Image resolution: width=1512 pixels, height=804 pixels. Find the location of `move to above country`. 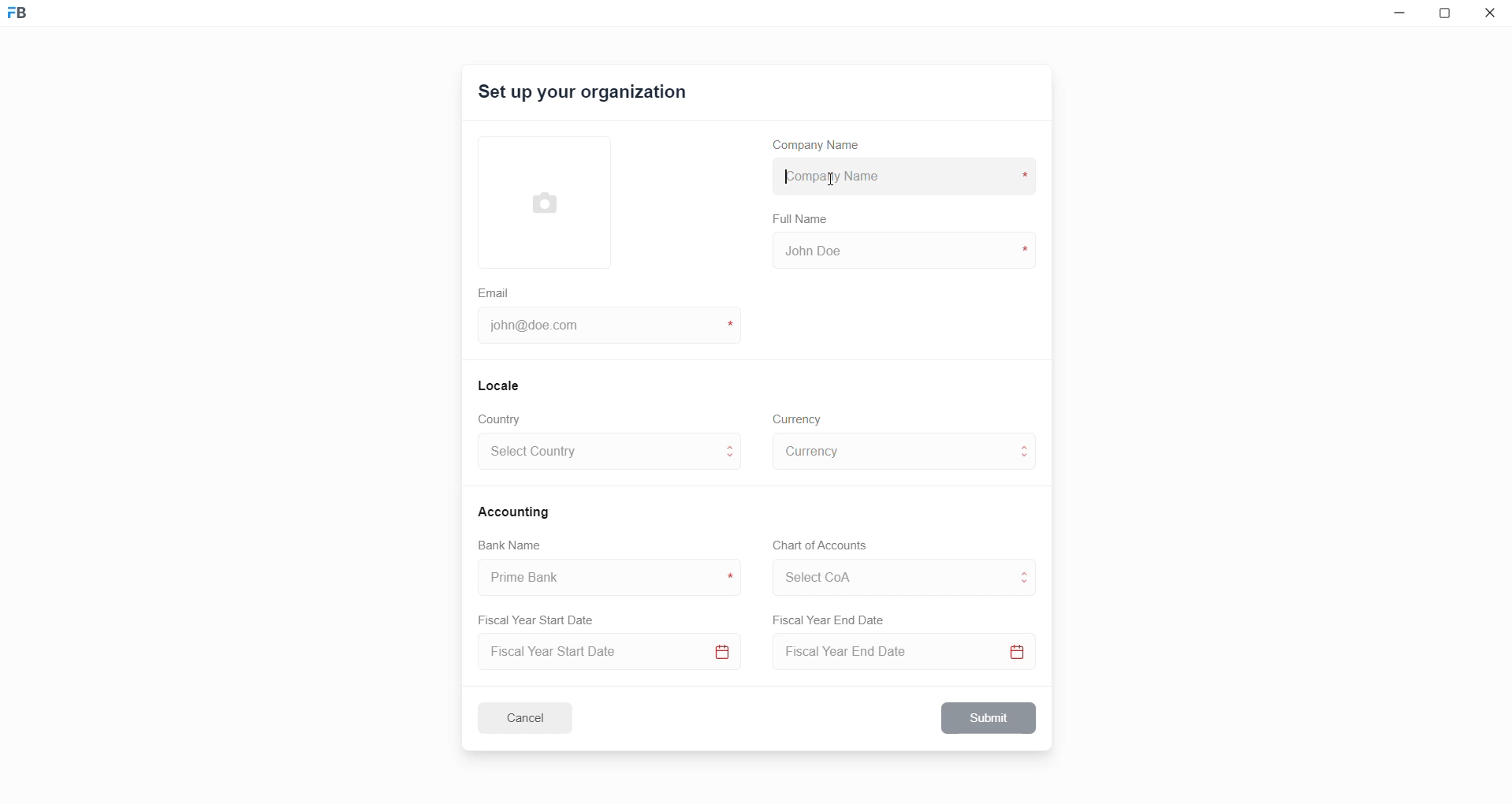

move to above country is located at coordinates (733, 445).